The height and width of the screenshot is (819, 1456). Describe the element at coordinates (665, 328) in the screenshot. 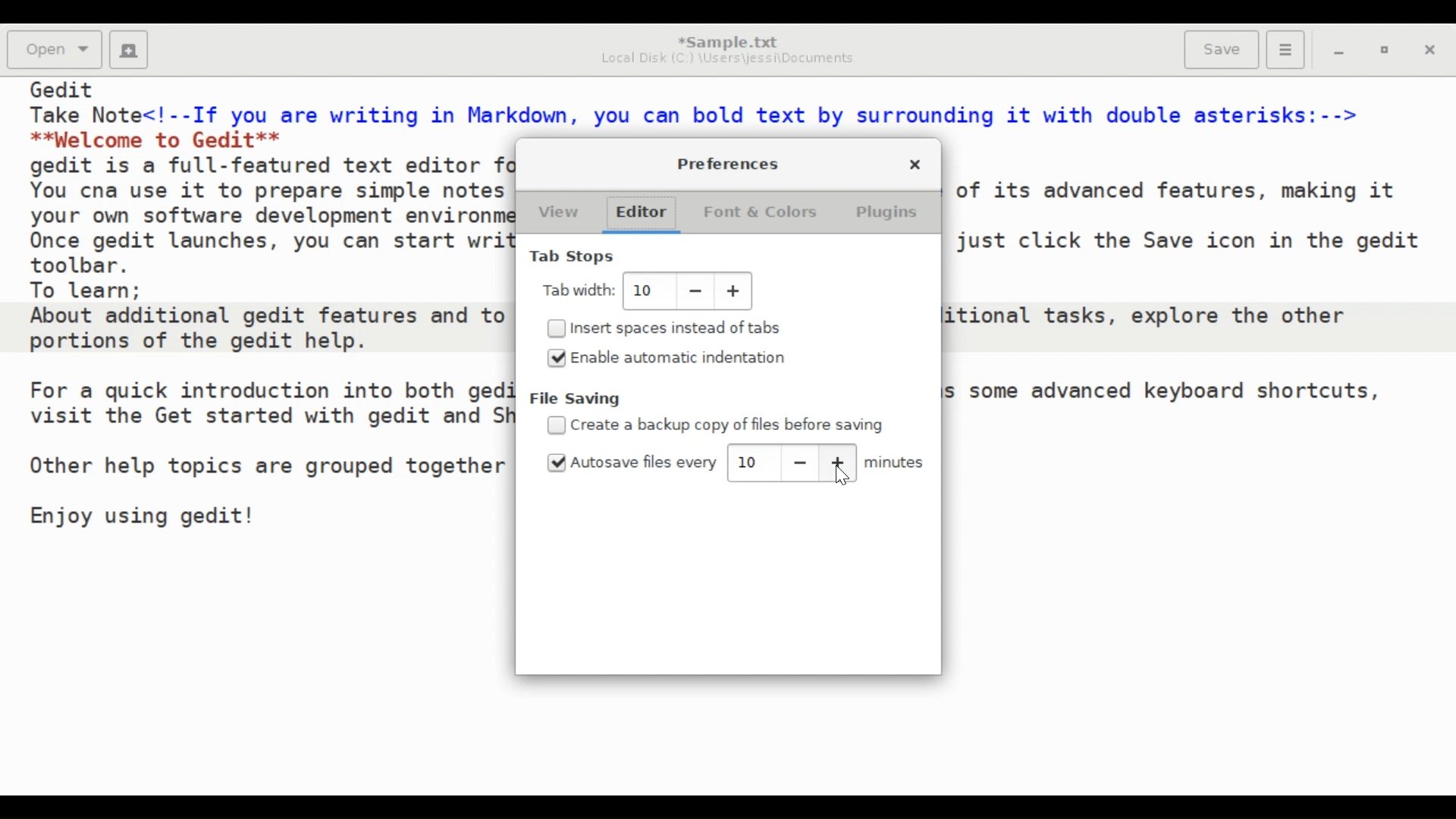

I see `(un)select Insert Spaces instead of tabs` at that location.